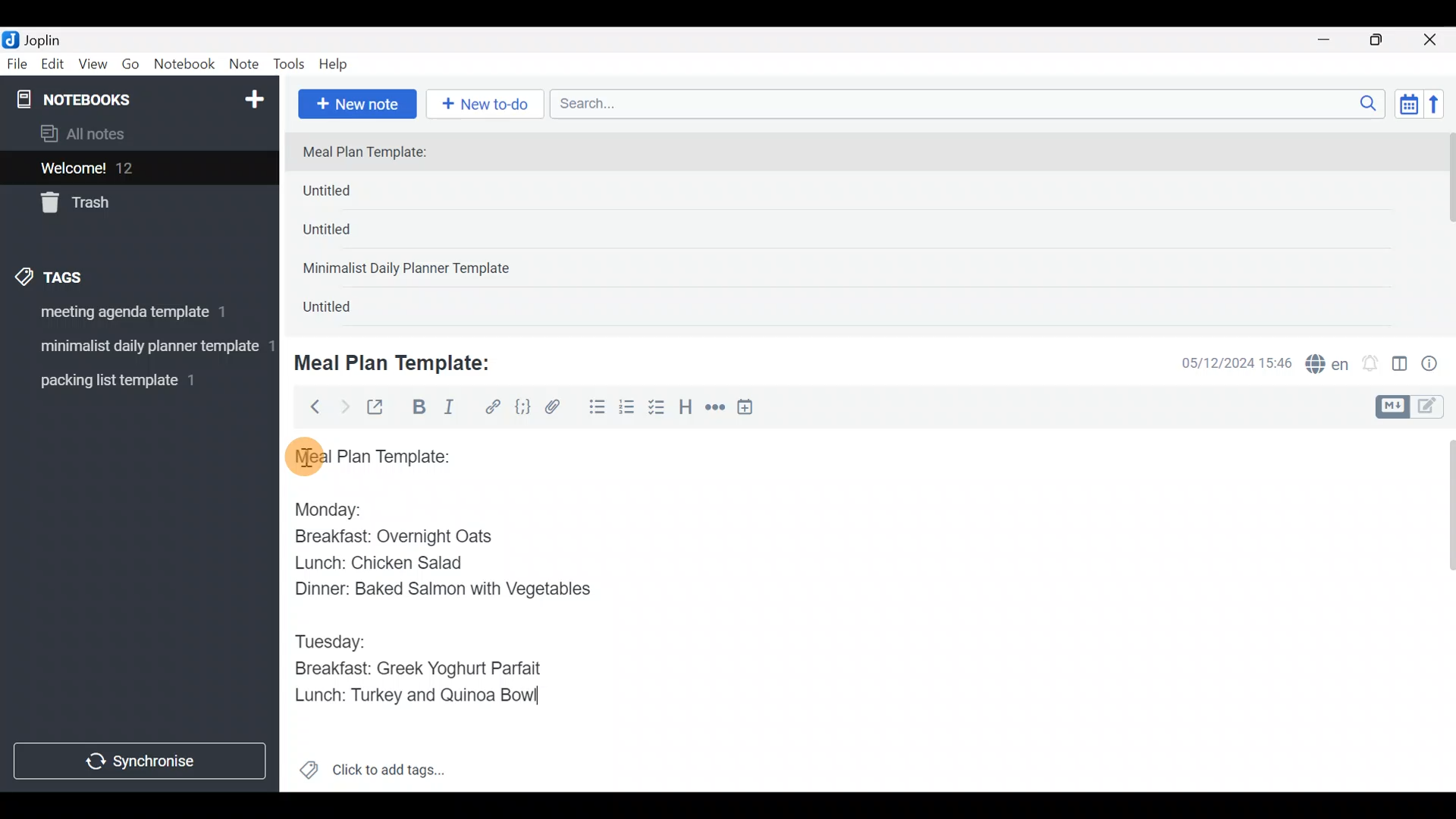  I want to click on Checkbox, so click(658, 409).